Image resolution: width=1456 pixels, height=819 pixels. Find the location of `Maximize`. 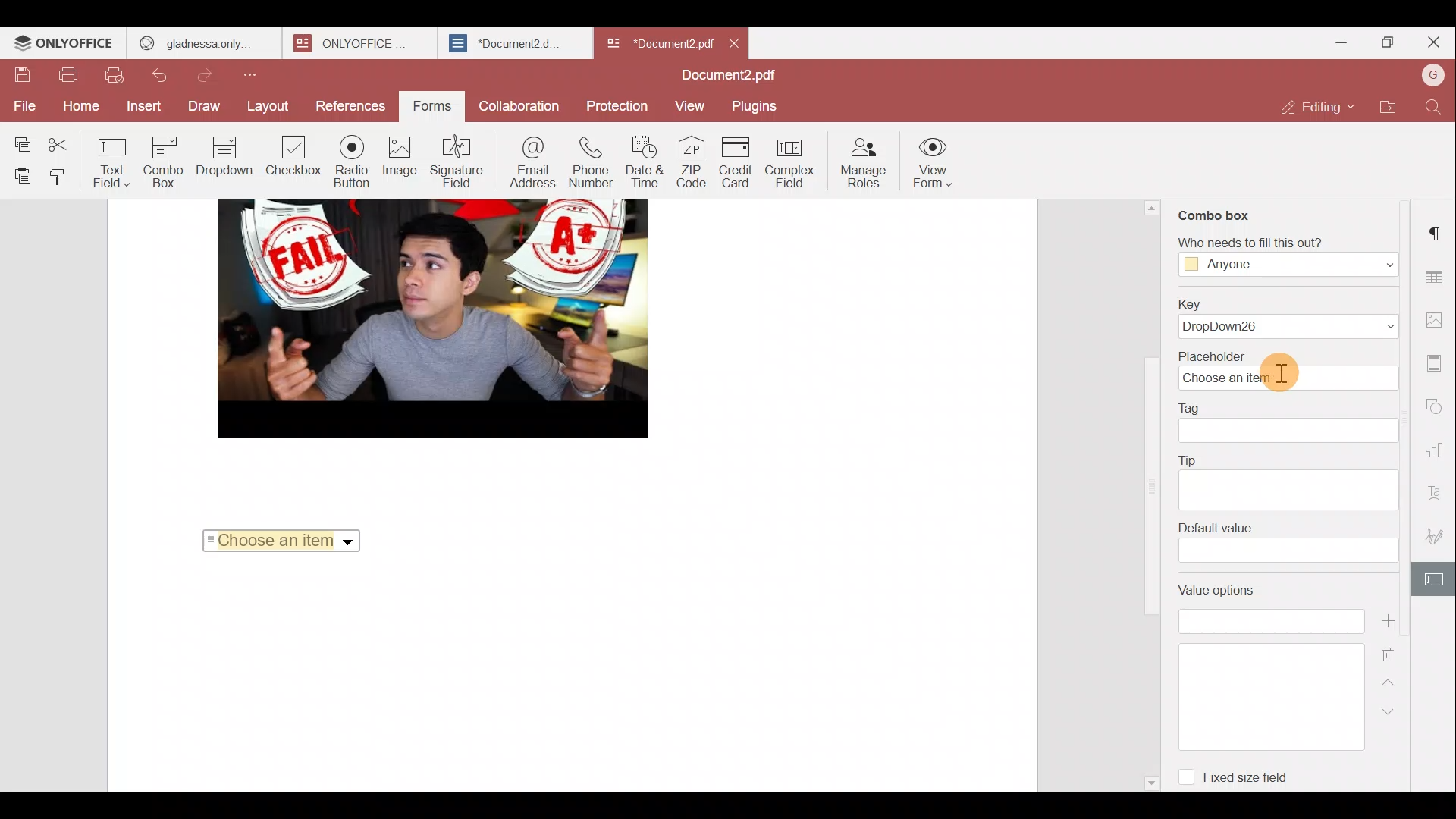

Maximize is located at coordinates (1383, 44).